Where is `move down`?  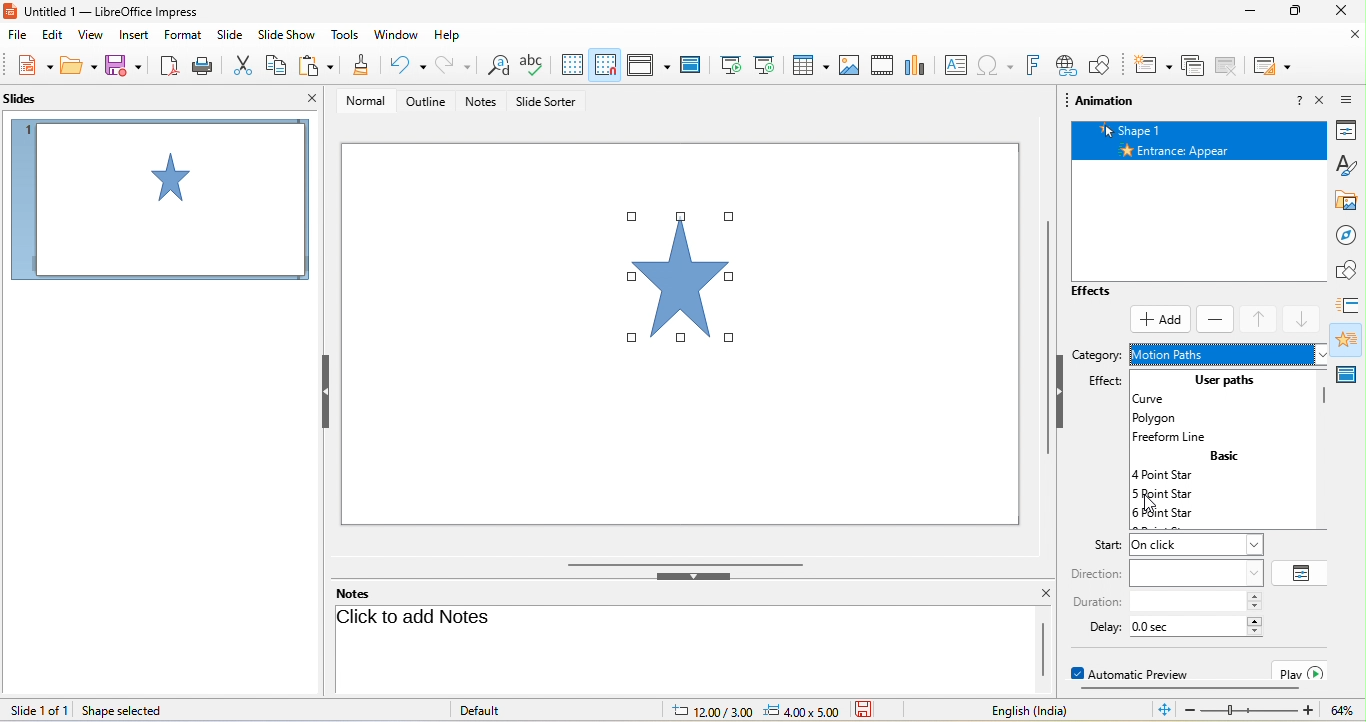
move down is located at coordinates (1305, 320).